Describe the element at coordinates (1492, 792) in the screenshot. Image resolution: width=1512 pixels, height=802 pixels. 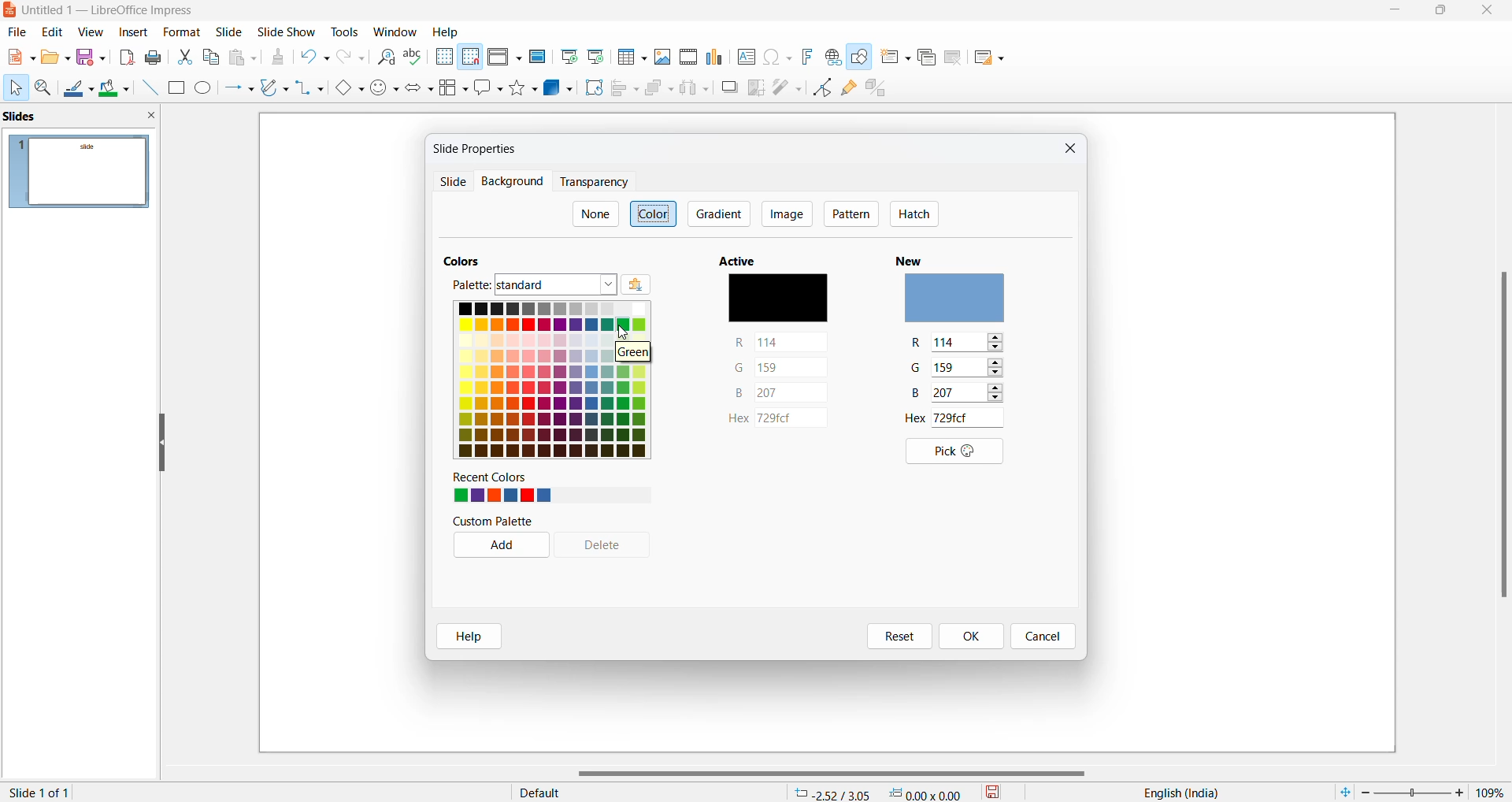
I see `zoom percentage` at that location.